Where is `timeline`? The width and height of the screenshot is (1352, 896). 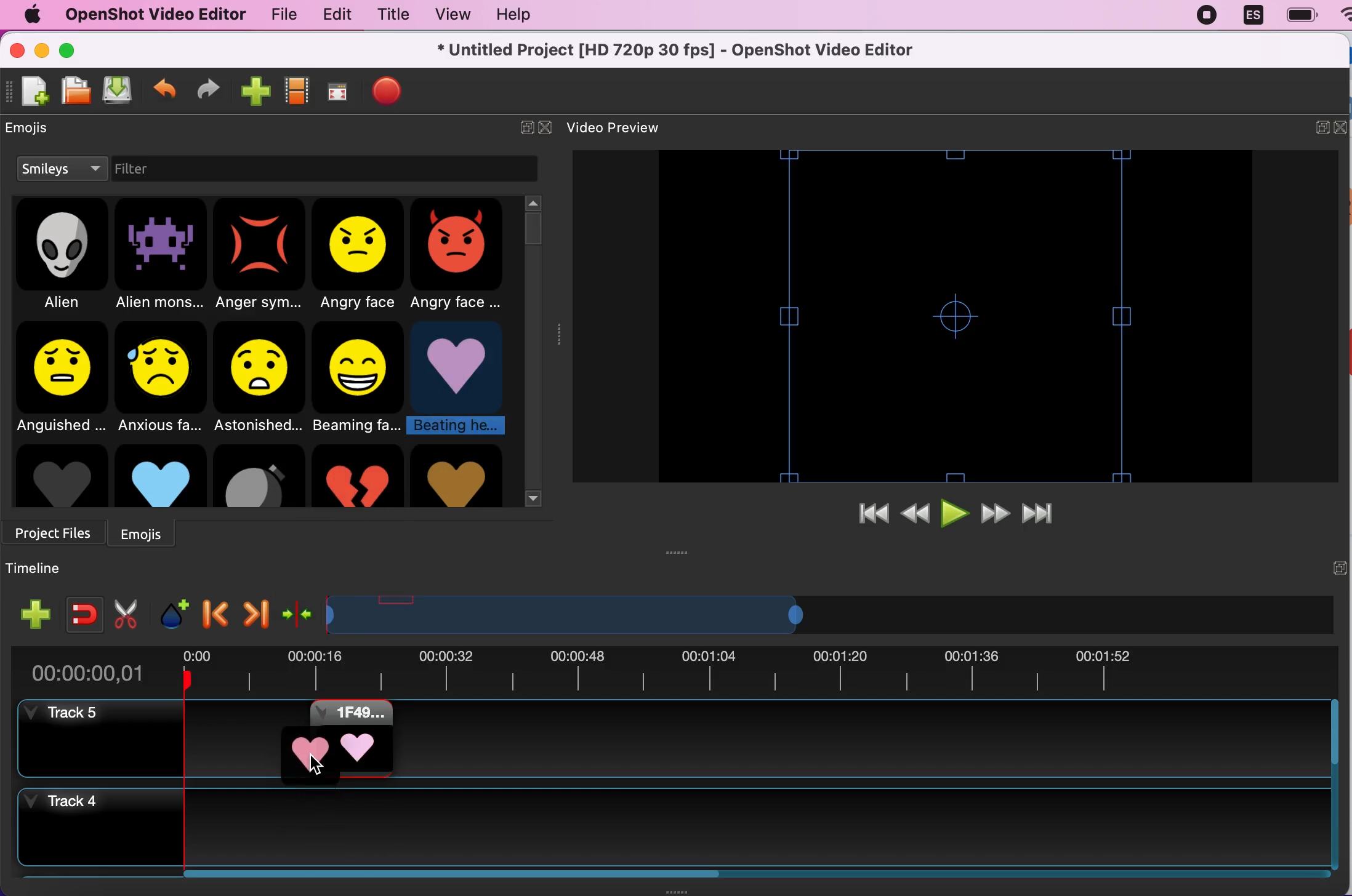 timeline is located at coordinates (40, 569).